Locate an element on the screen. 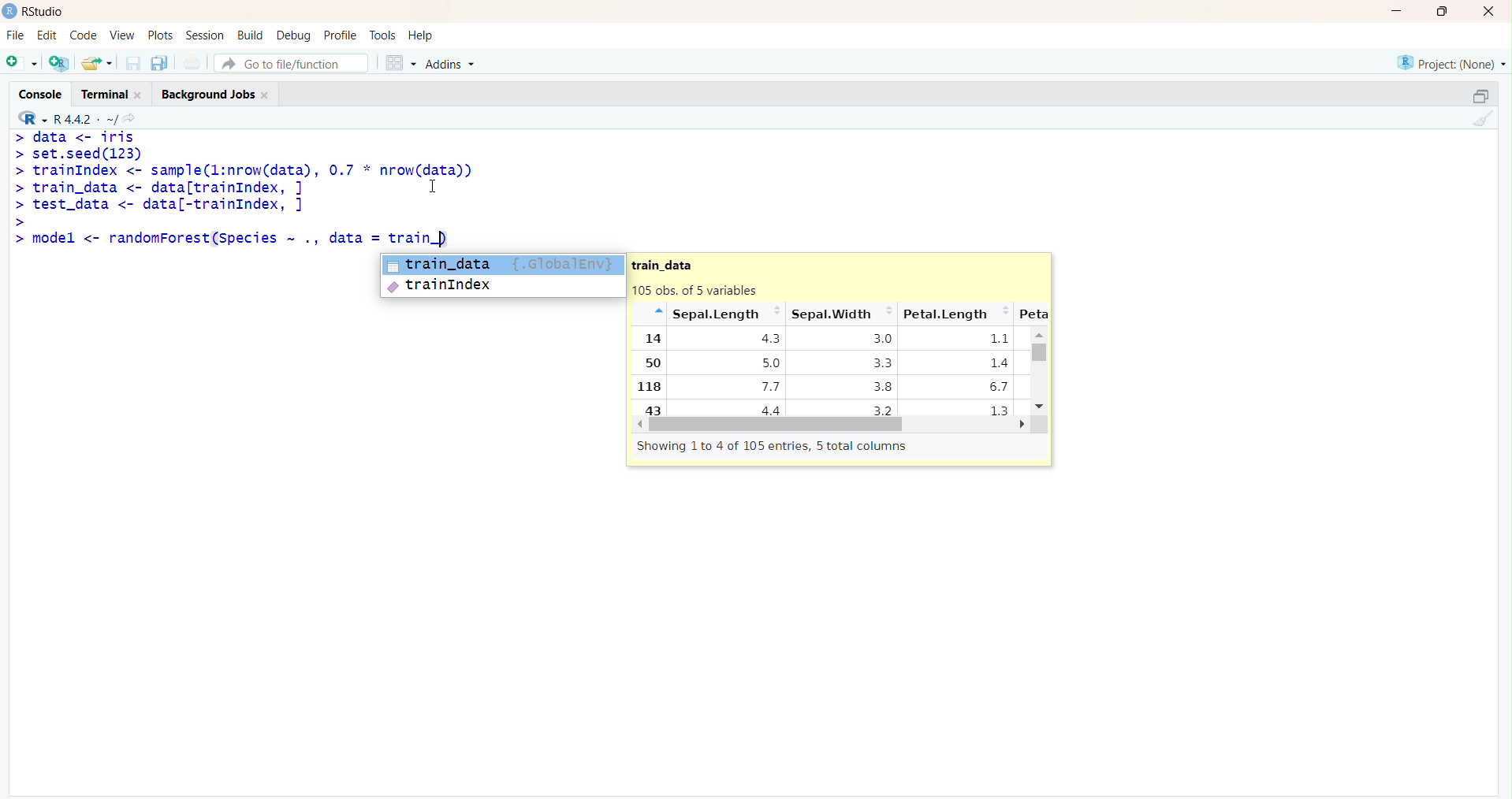 The width and height of the screenshot is (1512, 799). R.4.4.2. ~/ is located at coordinates (87, 117).